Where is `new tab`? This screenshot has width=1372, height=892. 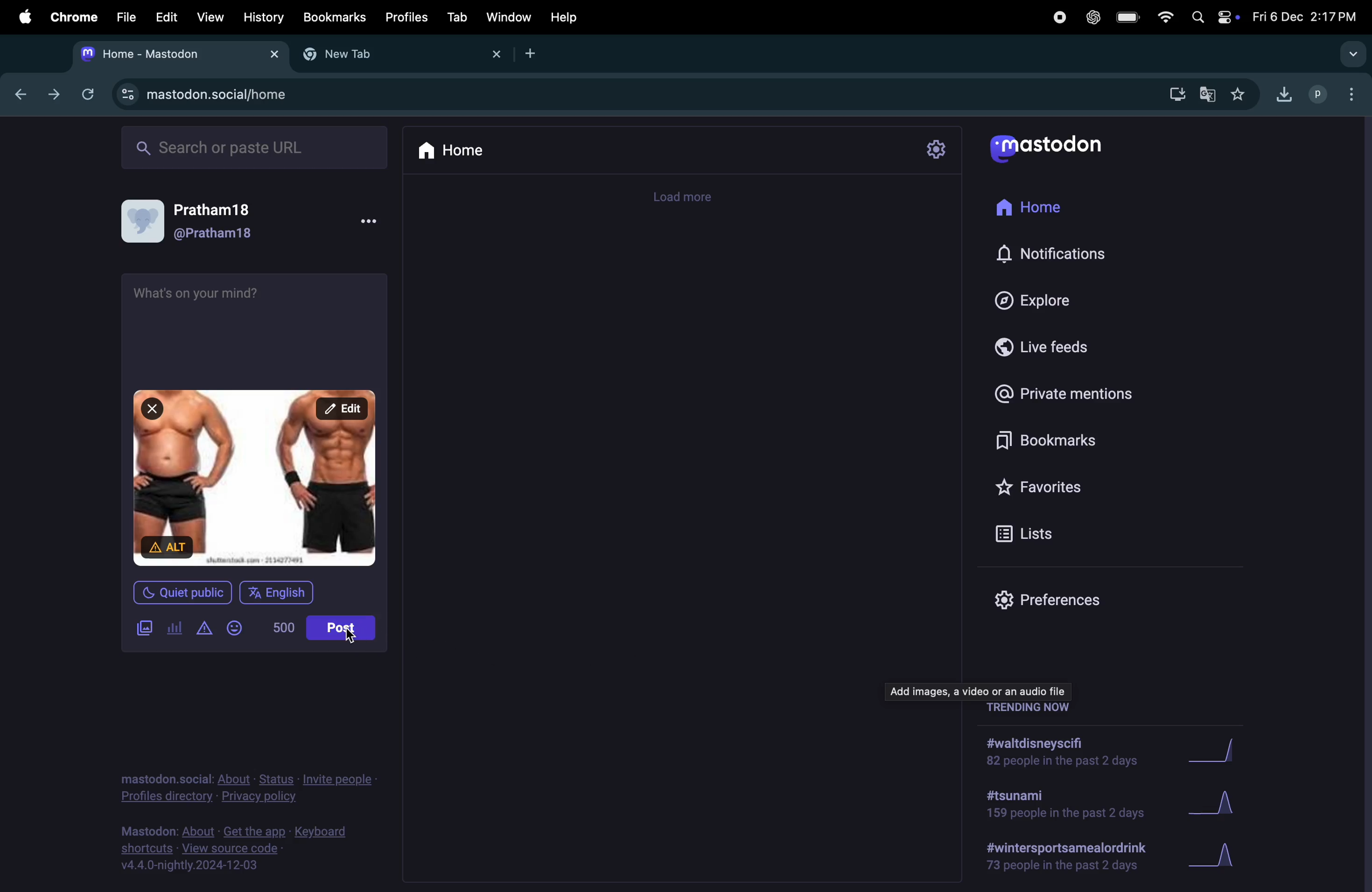
new tab is located at coordinates (397, 55).